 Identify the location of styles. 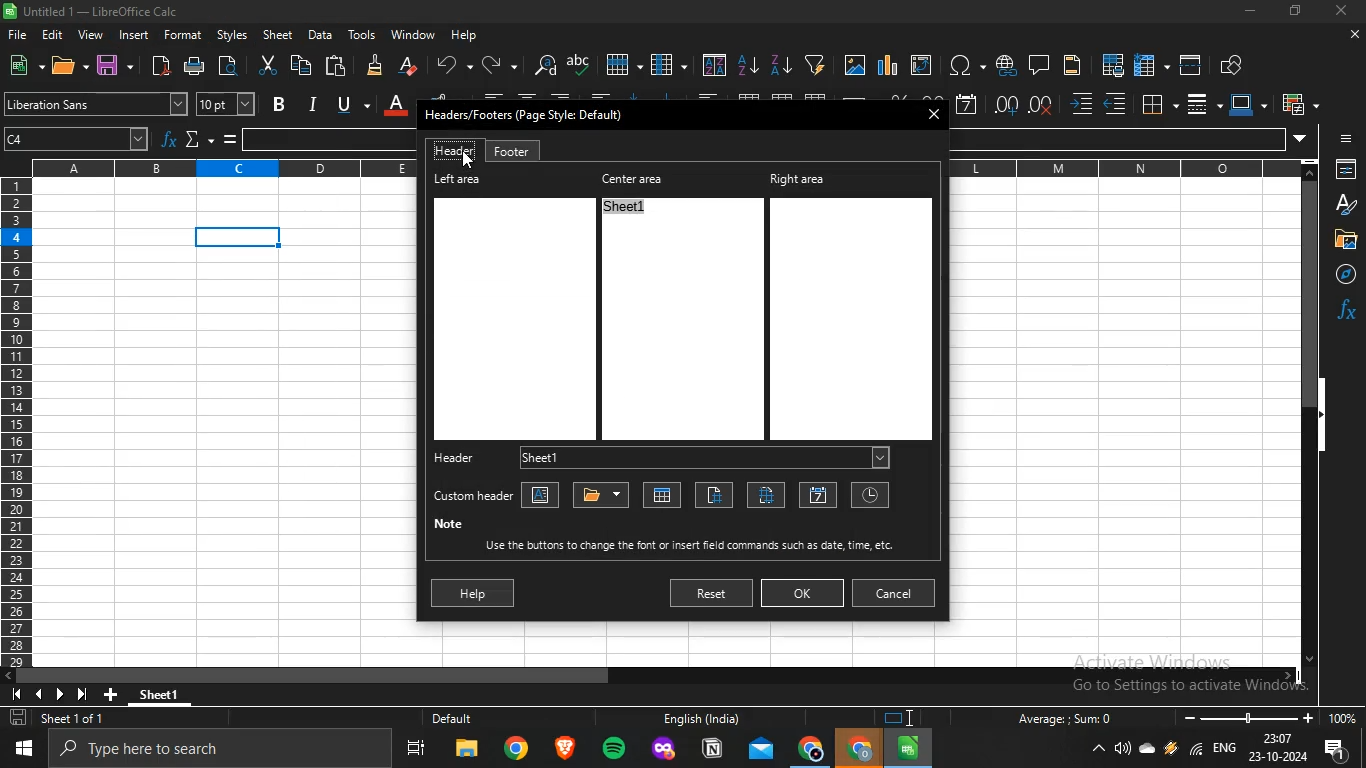
(1342, 204).